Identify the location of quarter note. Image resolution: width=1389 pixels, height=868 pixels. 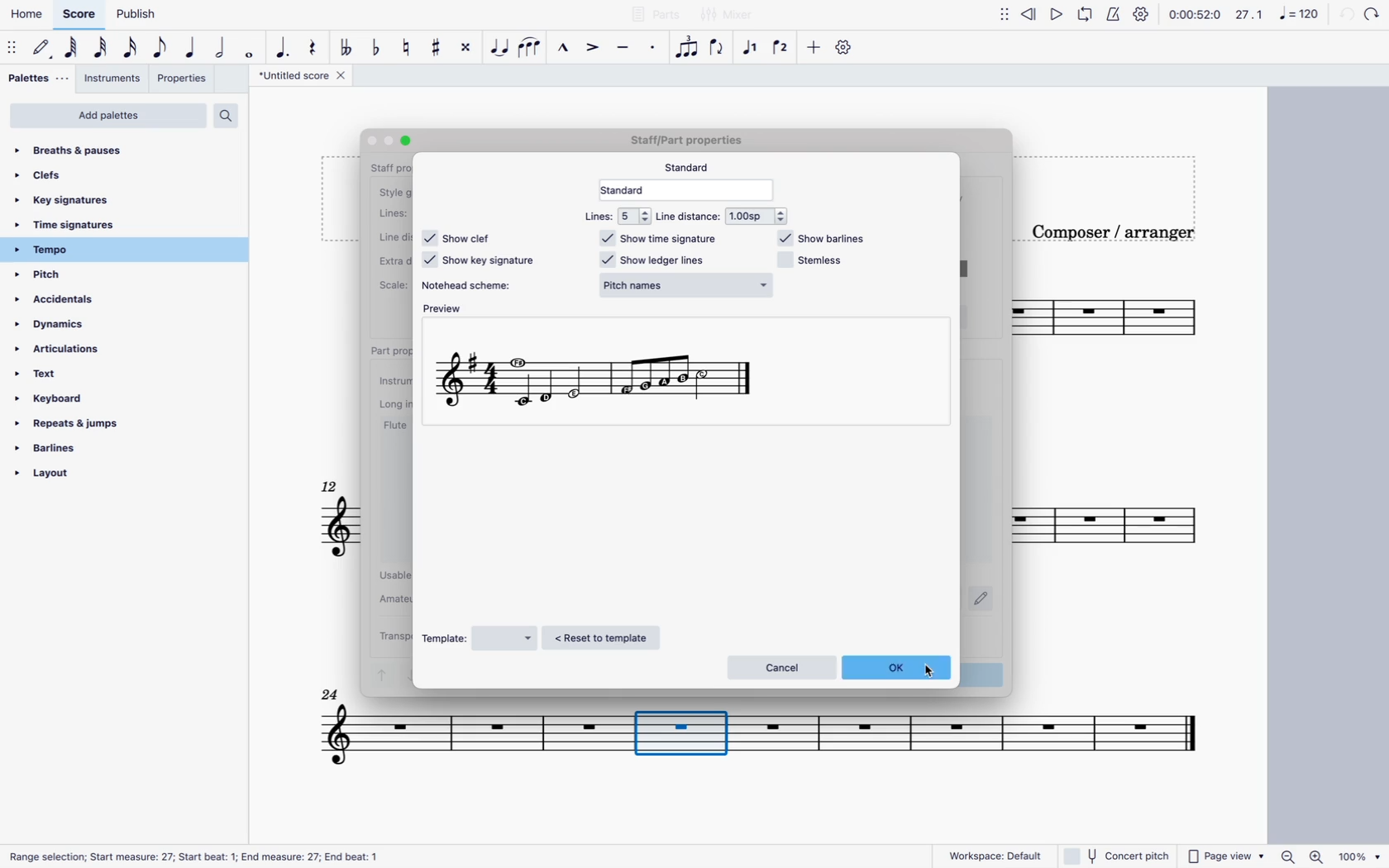
(192, 46).